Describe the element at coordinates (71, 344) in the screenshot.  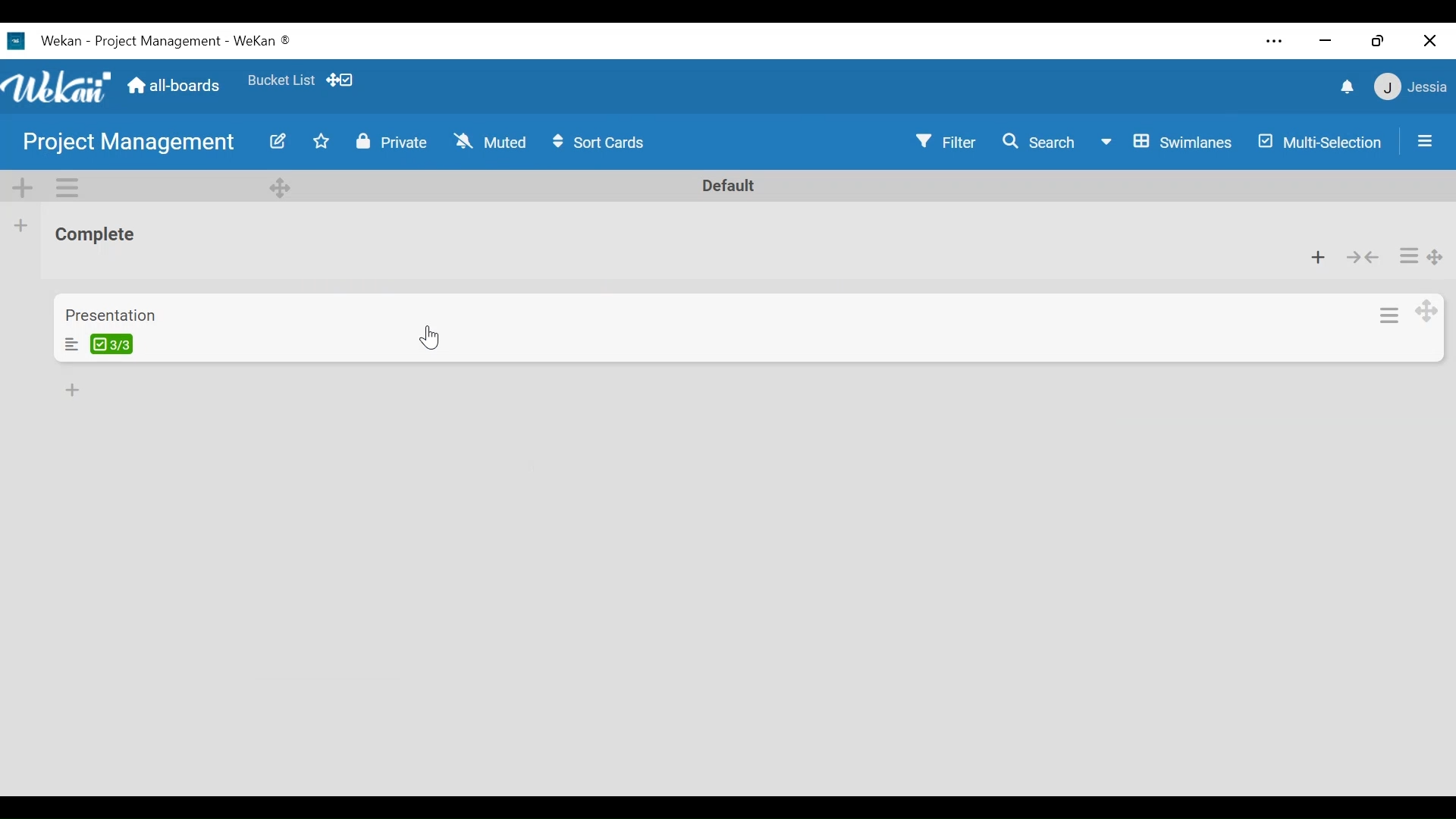
I see `Description` at that location.